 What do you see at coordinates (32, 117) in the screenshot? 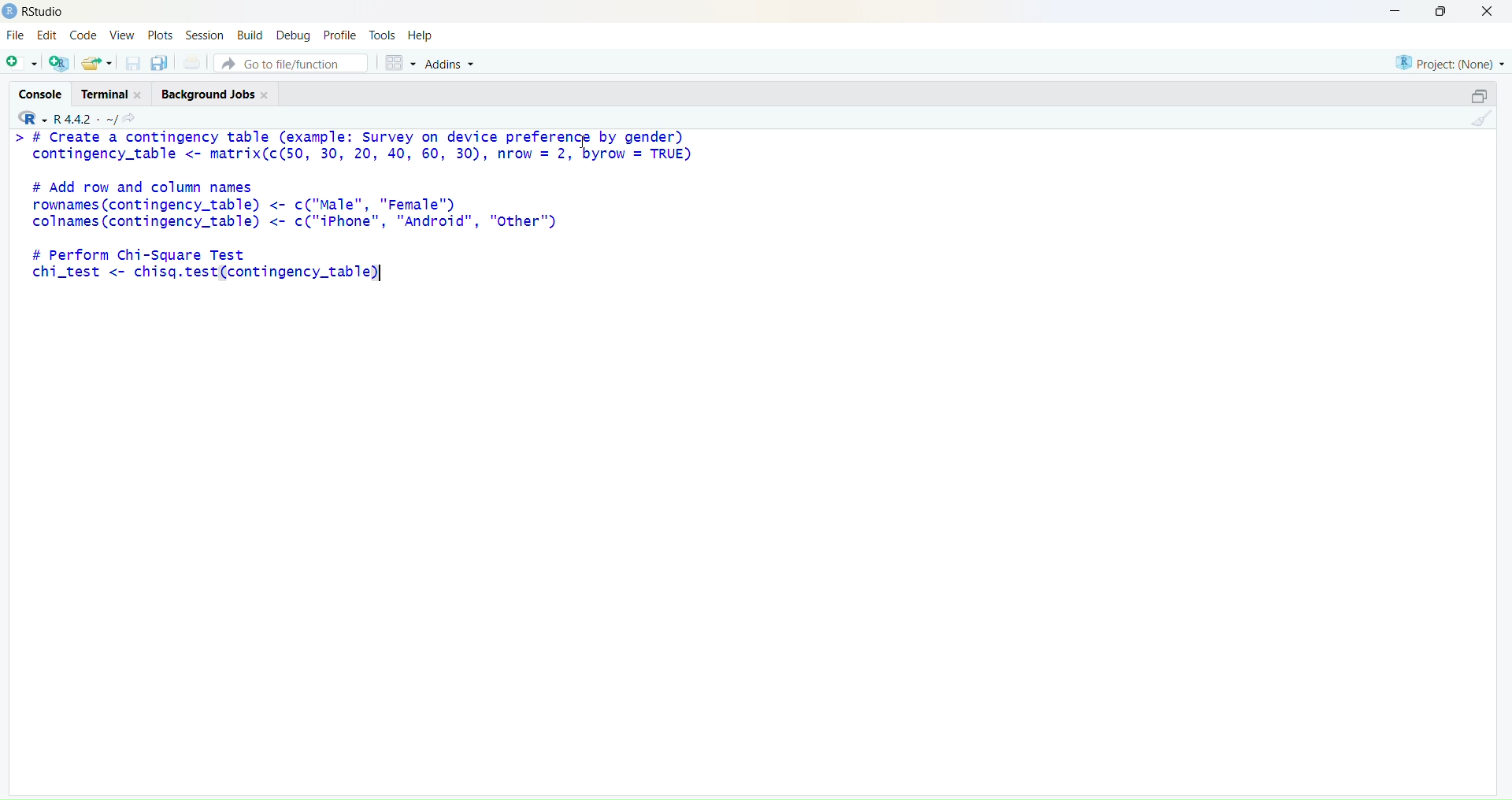
I see `R` at bounding box center [32, 117].